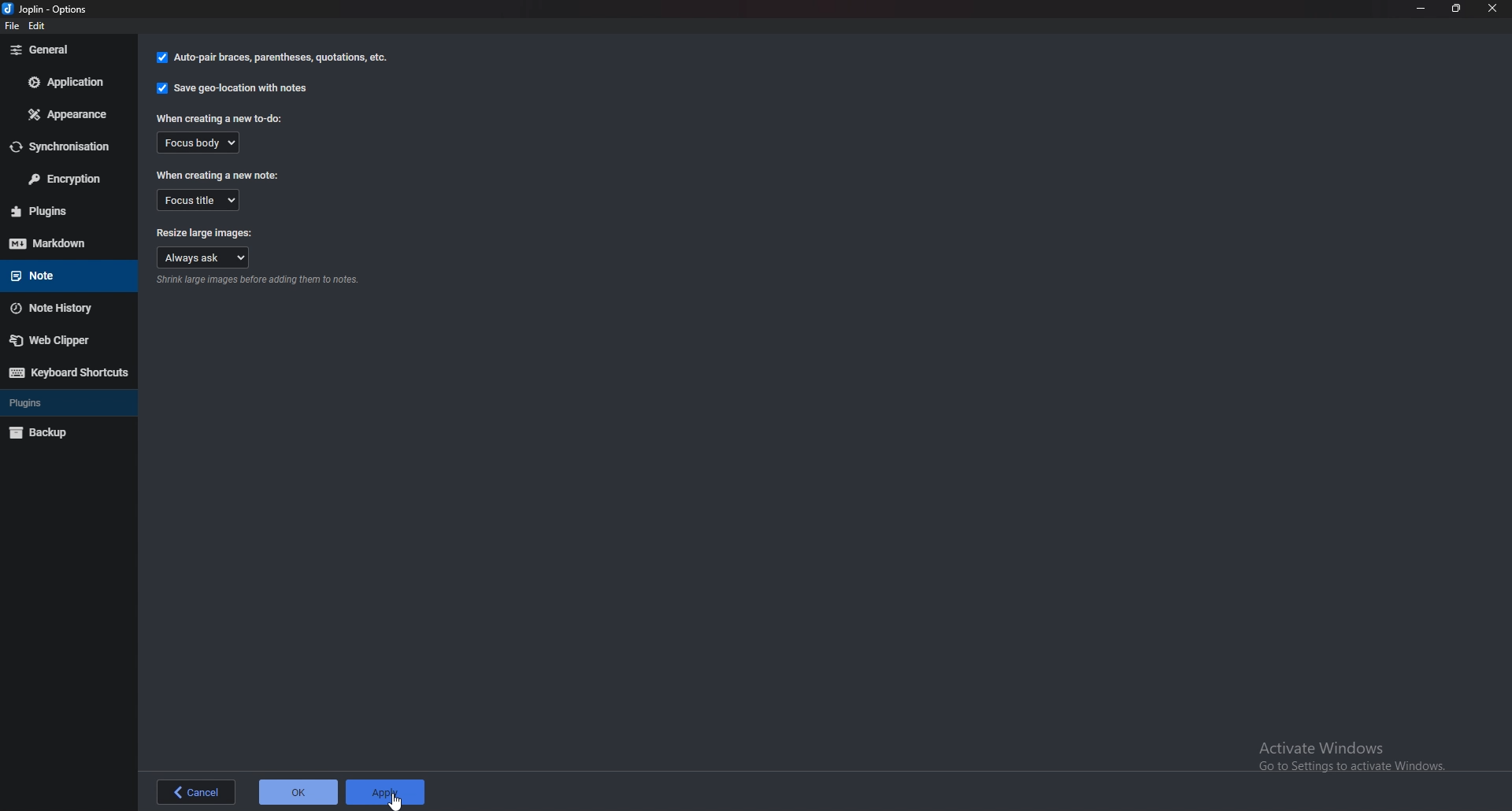 Image resolution: width=1512 pixels, height=811 pixels. Describe the element at coordinates (64, 179) in the screenshot. I see `Encryption` at that location.